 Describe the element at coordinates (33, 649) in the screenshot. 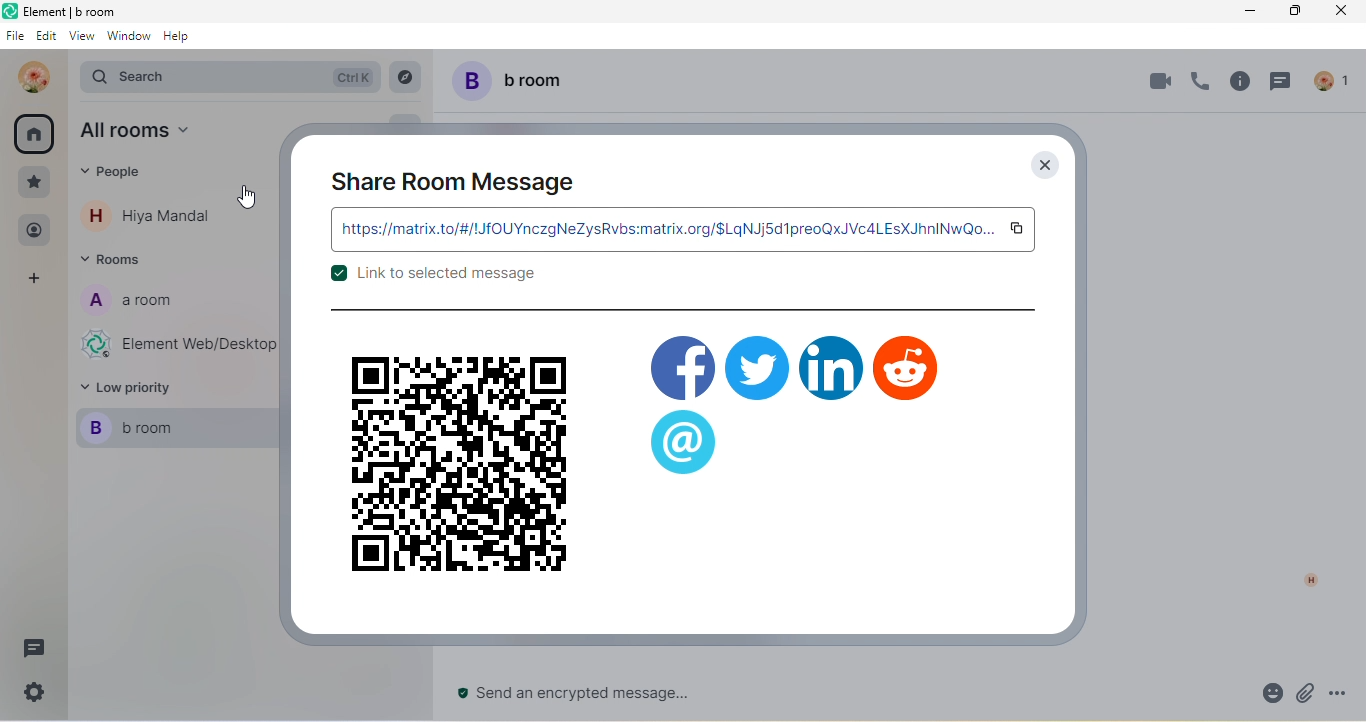

I see `thread` at that location.